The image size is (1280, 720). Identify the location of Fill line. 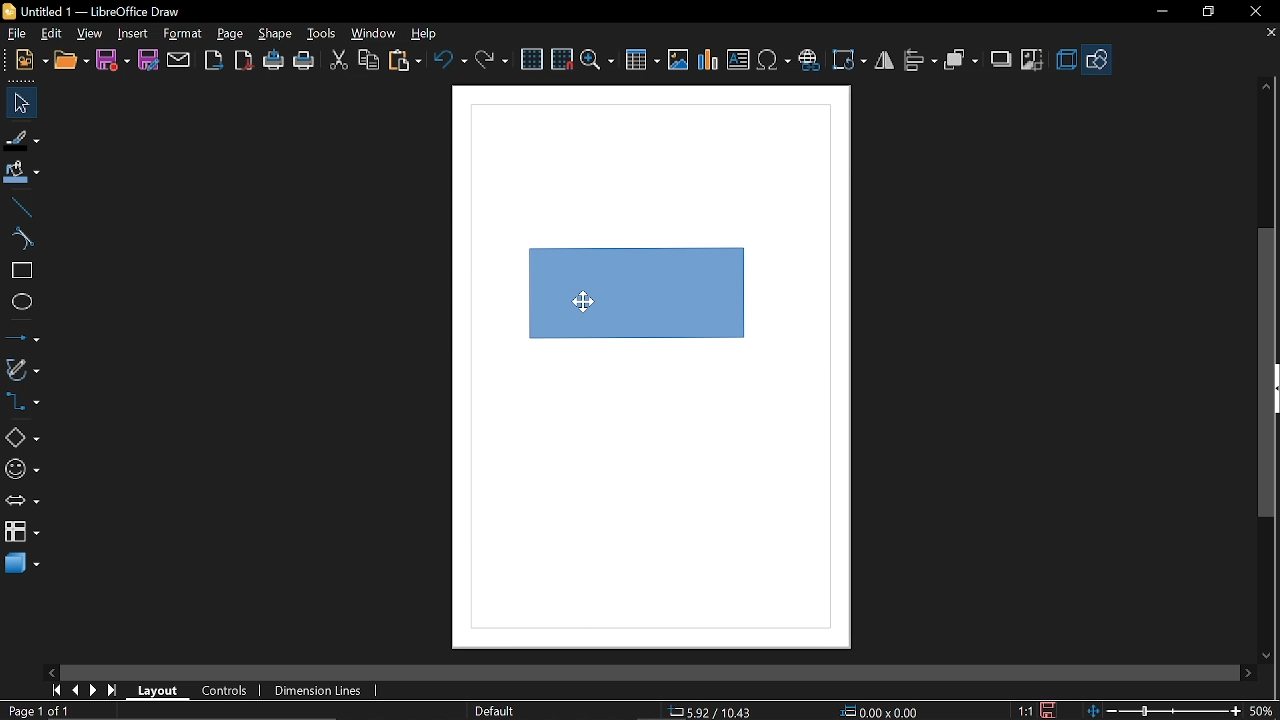
(21, 140).